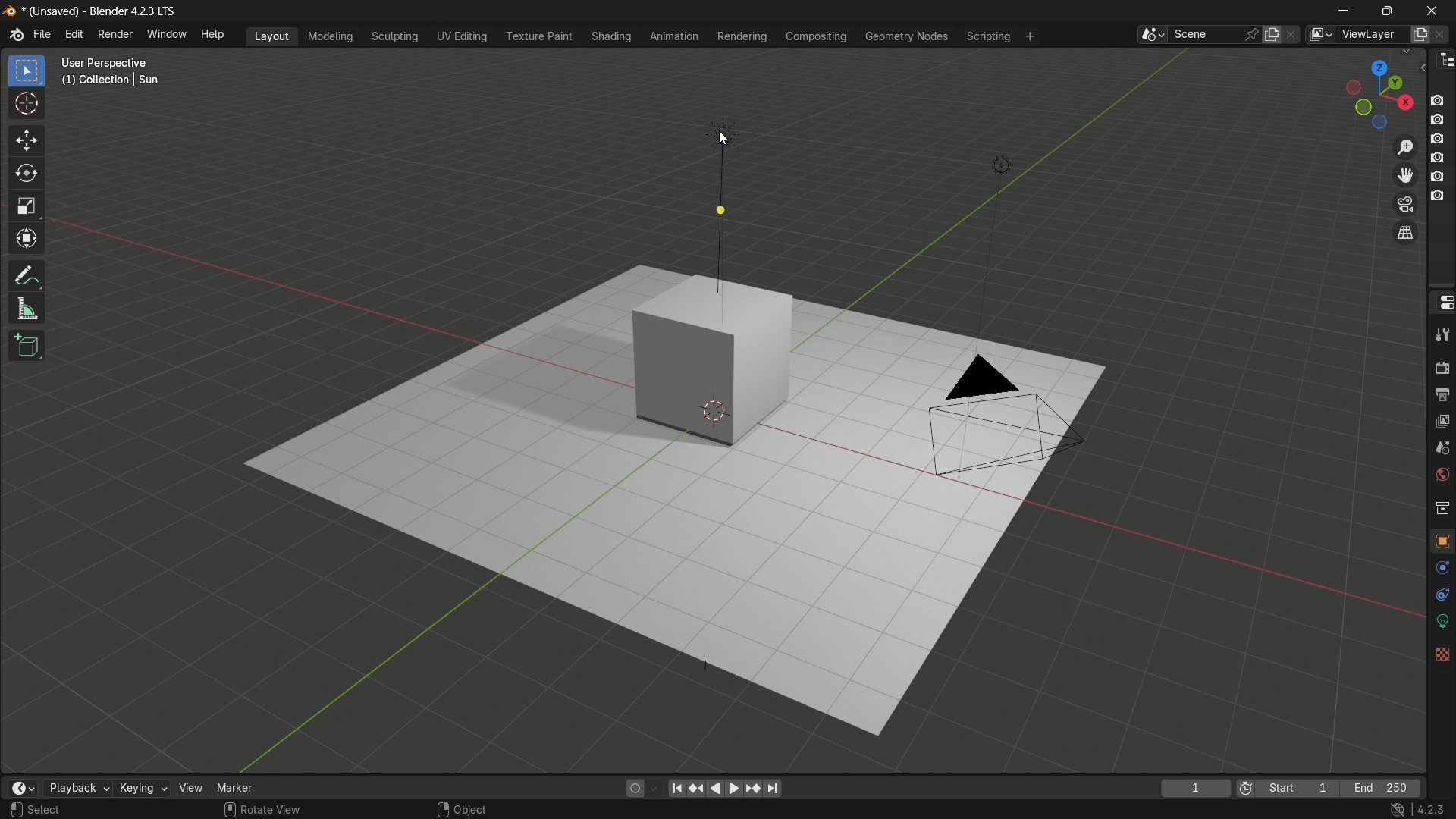  Describe the element at coordinates (1443, 475) in the screenshot. I see `world` at that location.